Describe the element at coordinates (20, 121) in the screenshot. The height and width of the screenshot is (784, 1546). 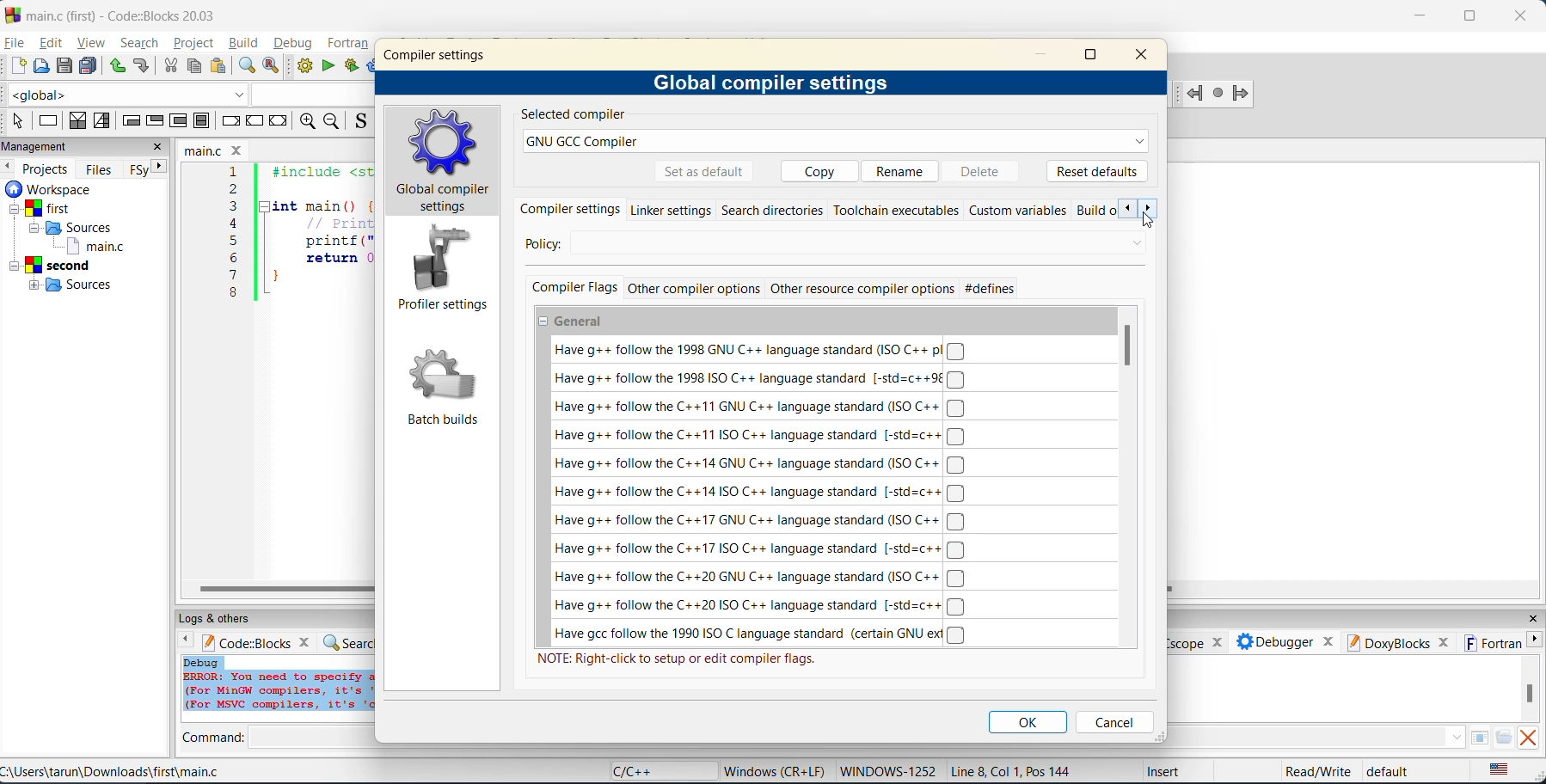
I see `select` at that location.